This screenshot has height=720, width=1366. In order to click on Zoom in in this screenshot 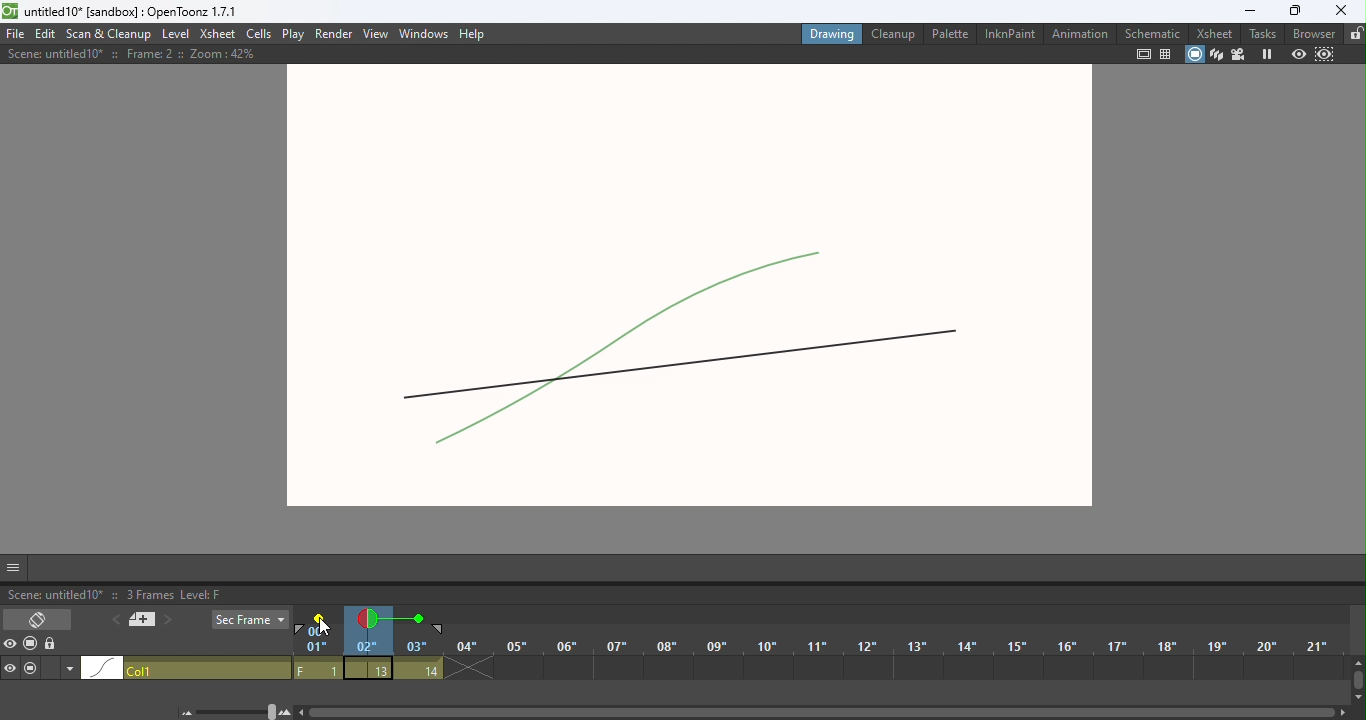, I will do `click(288, 712)`.